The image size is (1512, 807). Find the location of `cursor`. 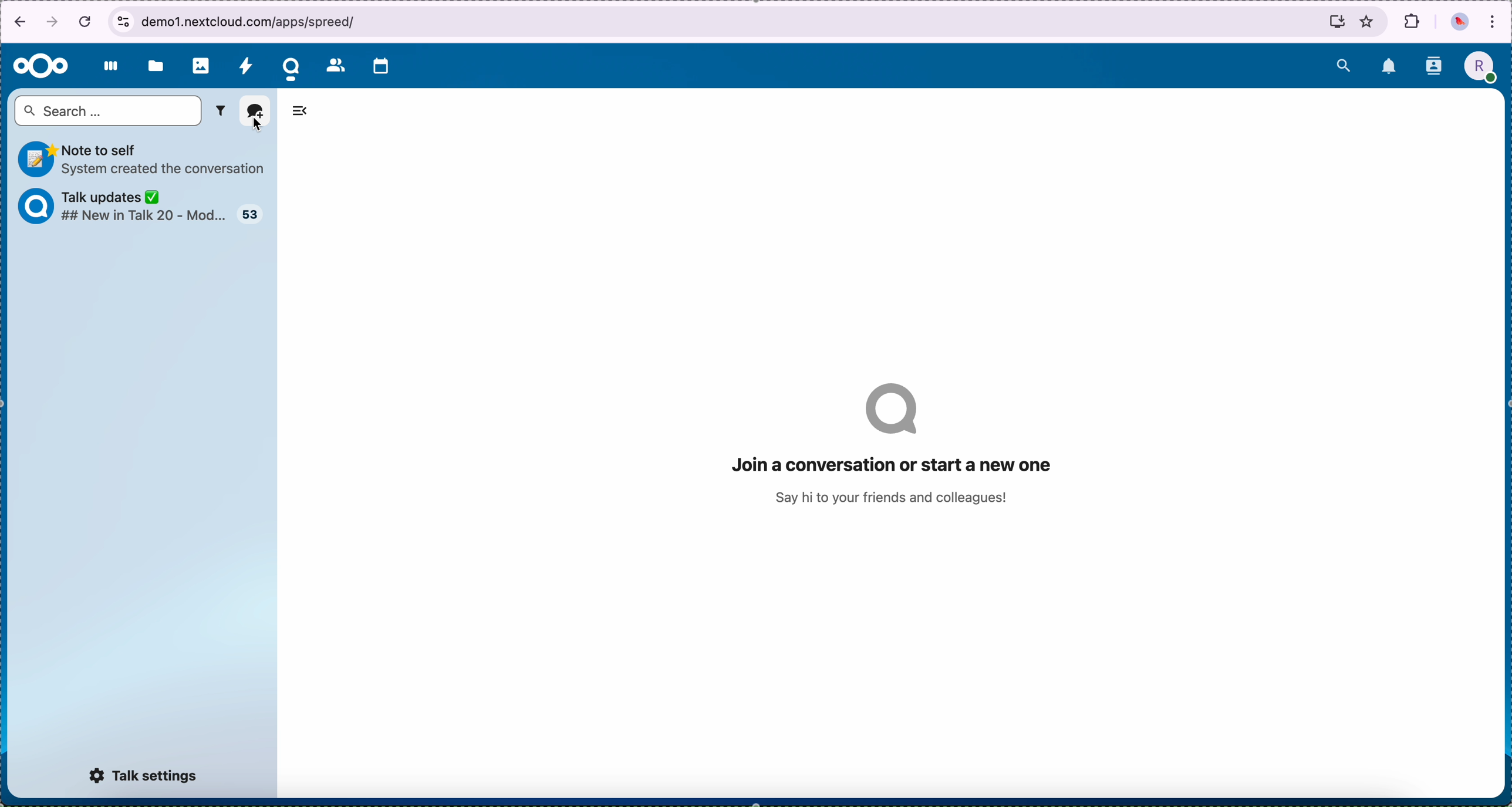

cursor is located at coordinates (259, 125).